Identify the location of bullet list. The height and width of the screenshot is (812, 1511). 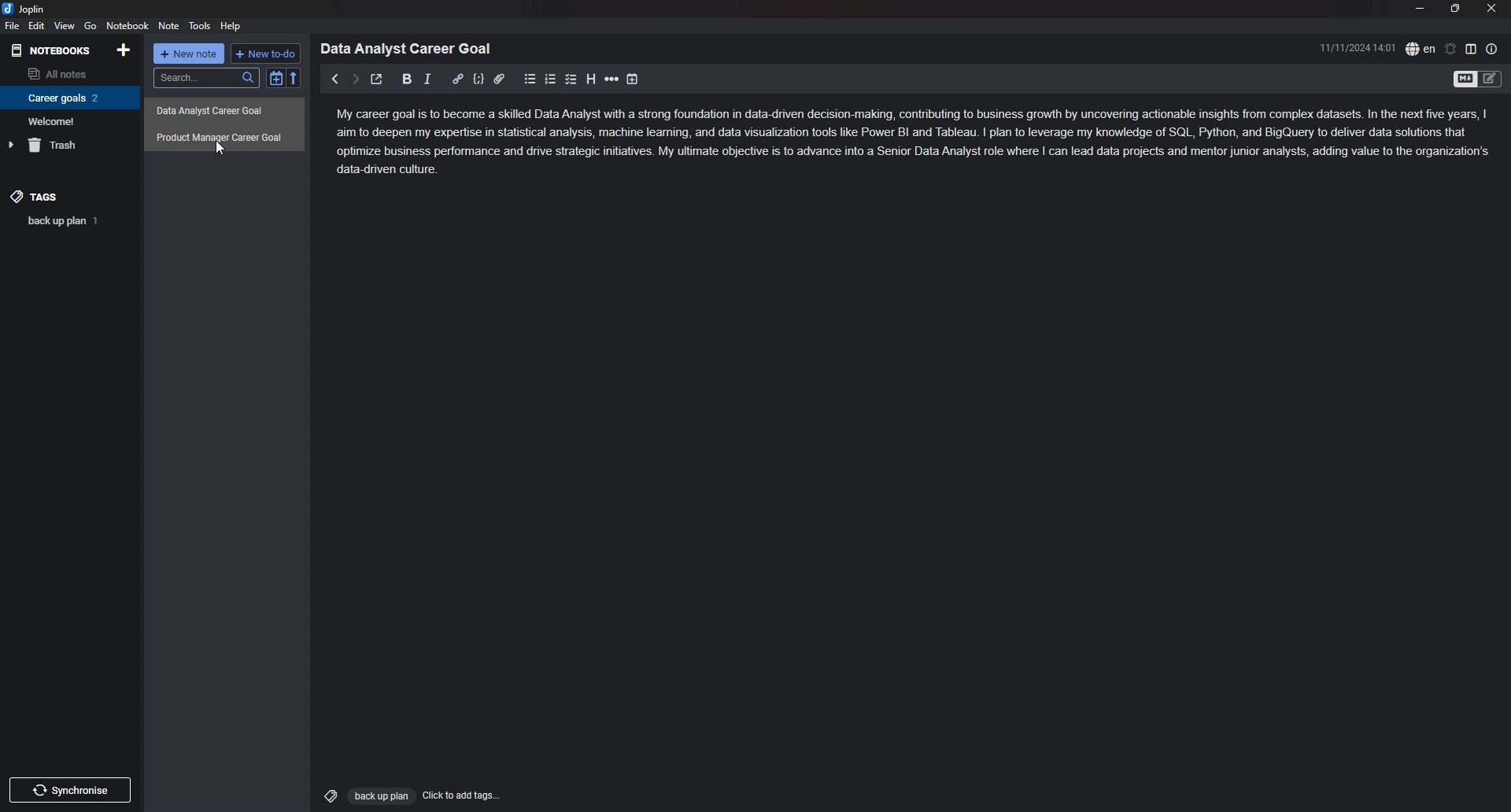
(530, 79).